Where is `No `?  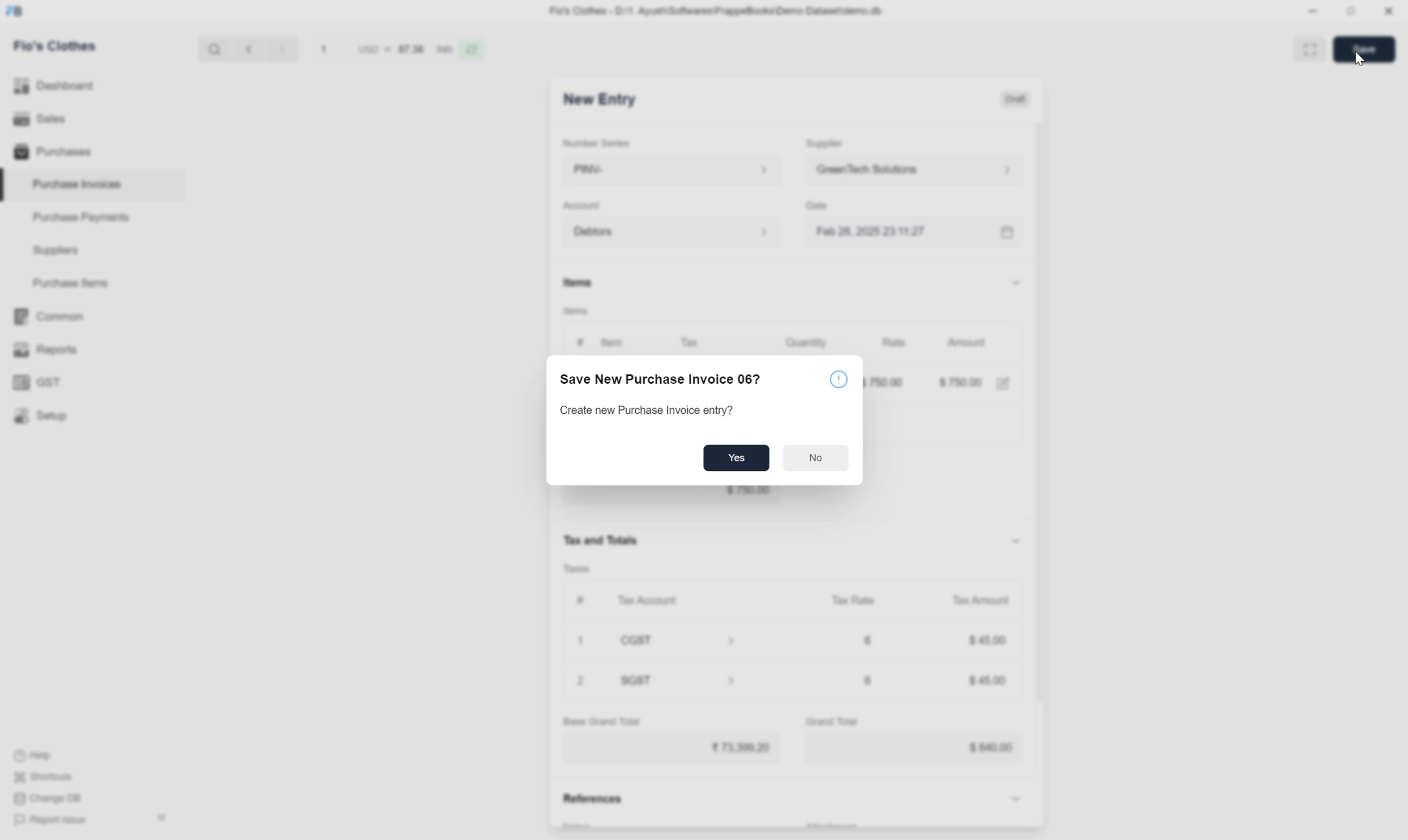 No  is located at coordinates (816, 458).